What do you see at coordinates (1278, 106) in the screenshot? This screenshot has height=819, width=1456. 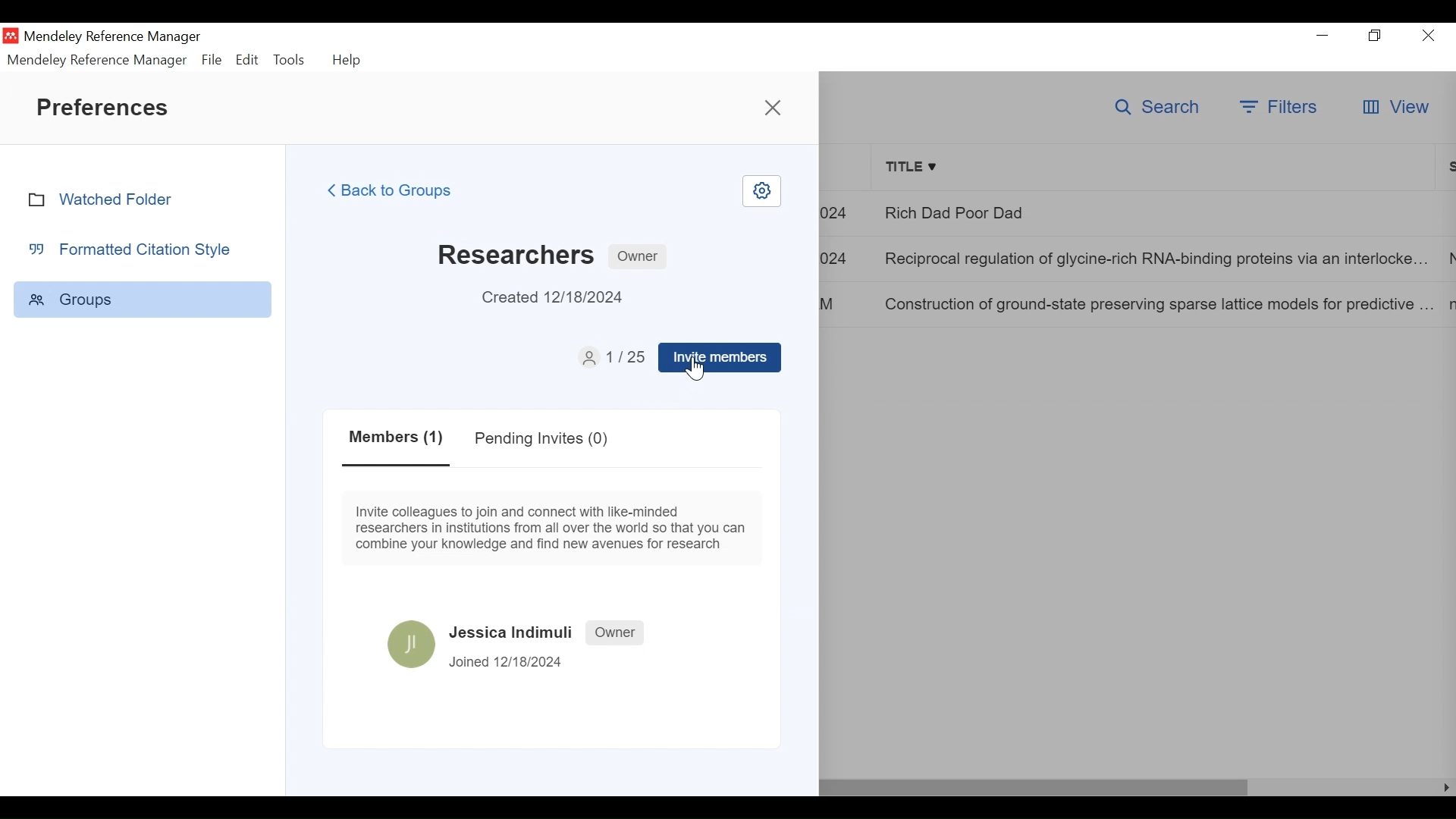 I see `Filters` at bounding box center [1278, 106].